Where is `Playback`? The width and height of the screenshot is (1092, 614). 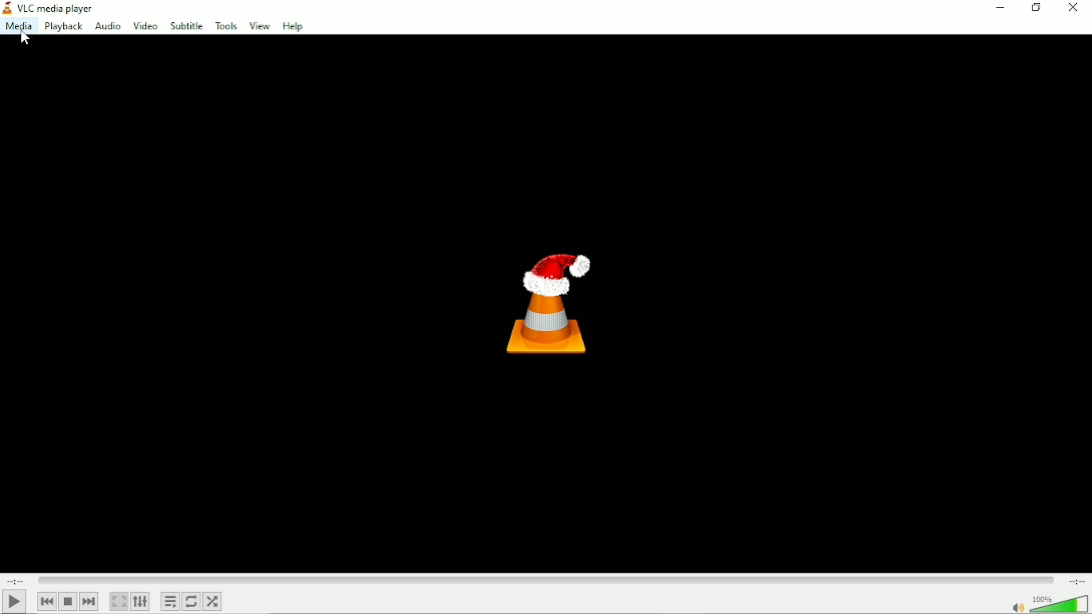 Playback is located at coordinates (62, 27).